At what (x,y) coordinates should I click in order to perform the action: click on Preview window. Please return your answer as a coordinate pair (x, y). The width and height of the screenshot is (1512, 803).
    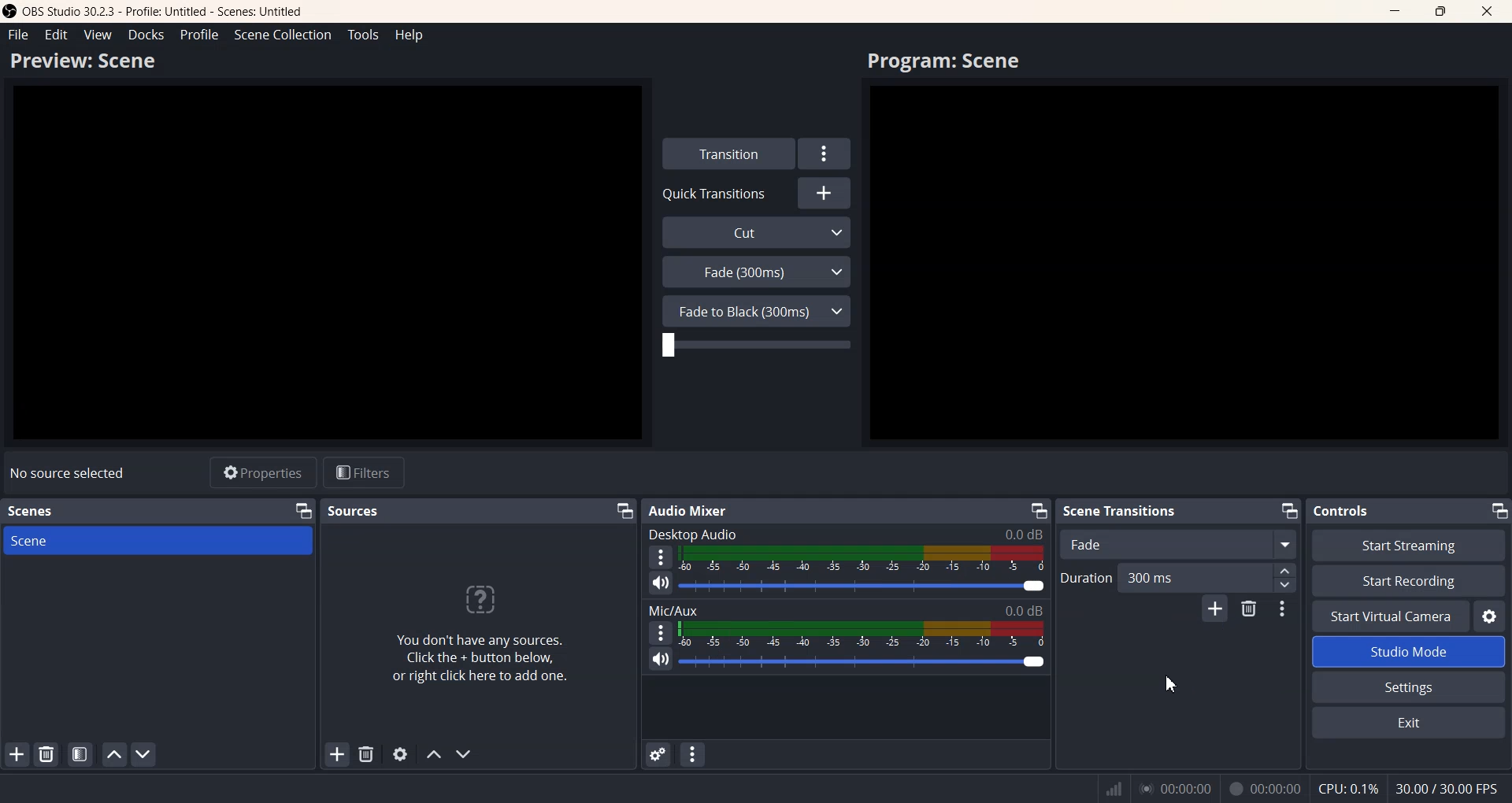
    Looking at the image, I should click on (324, 259).